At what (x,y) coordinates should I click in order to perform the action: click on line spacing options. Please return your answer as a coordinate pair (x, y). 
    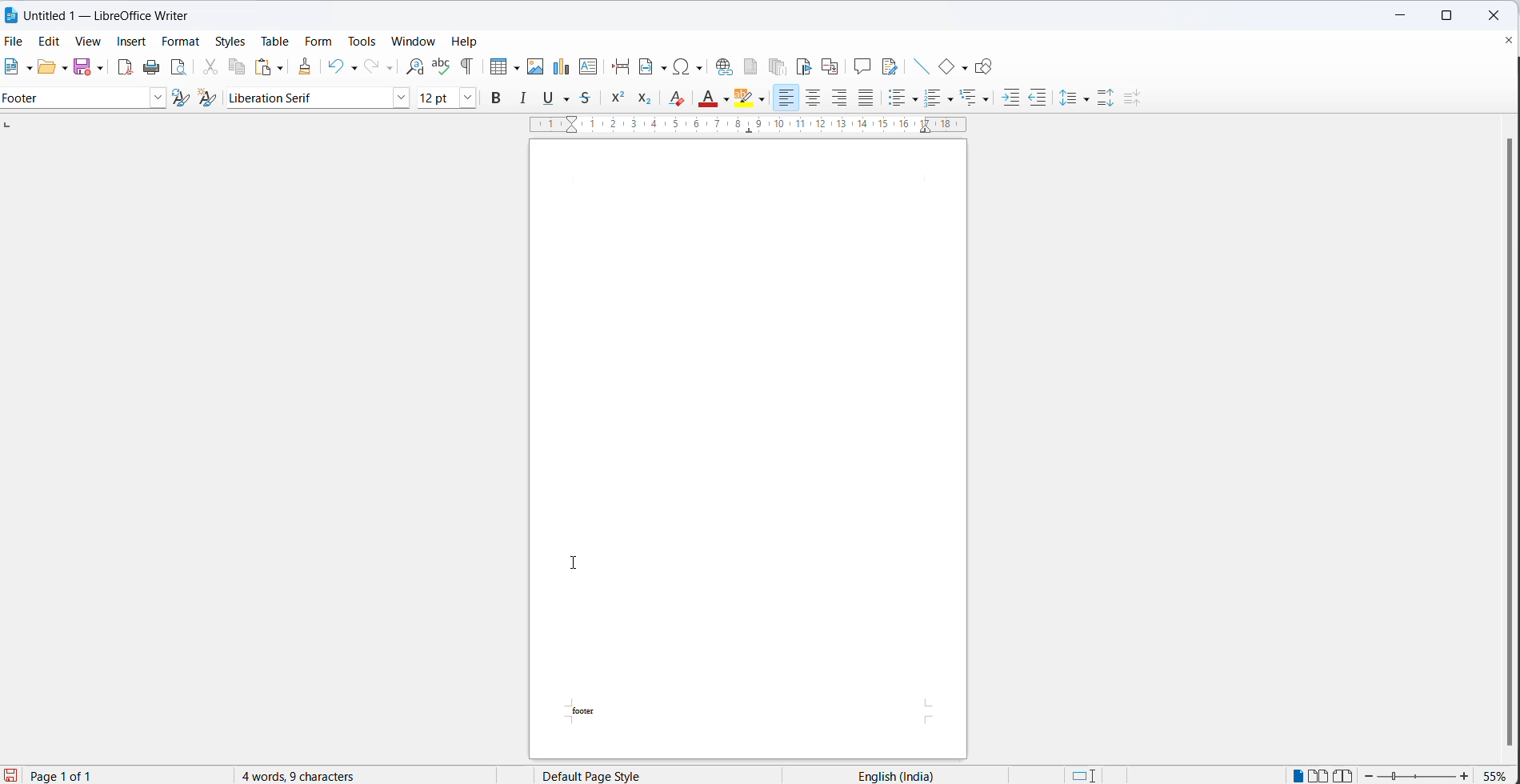
    Looking at the image, I should click on (1083, 100).